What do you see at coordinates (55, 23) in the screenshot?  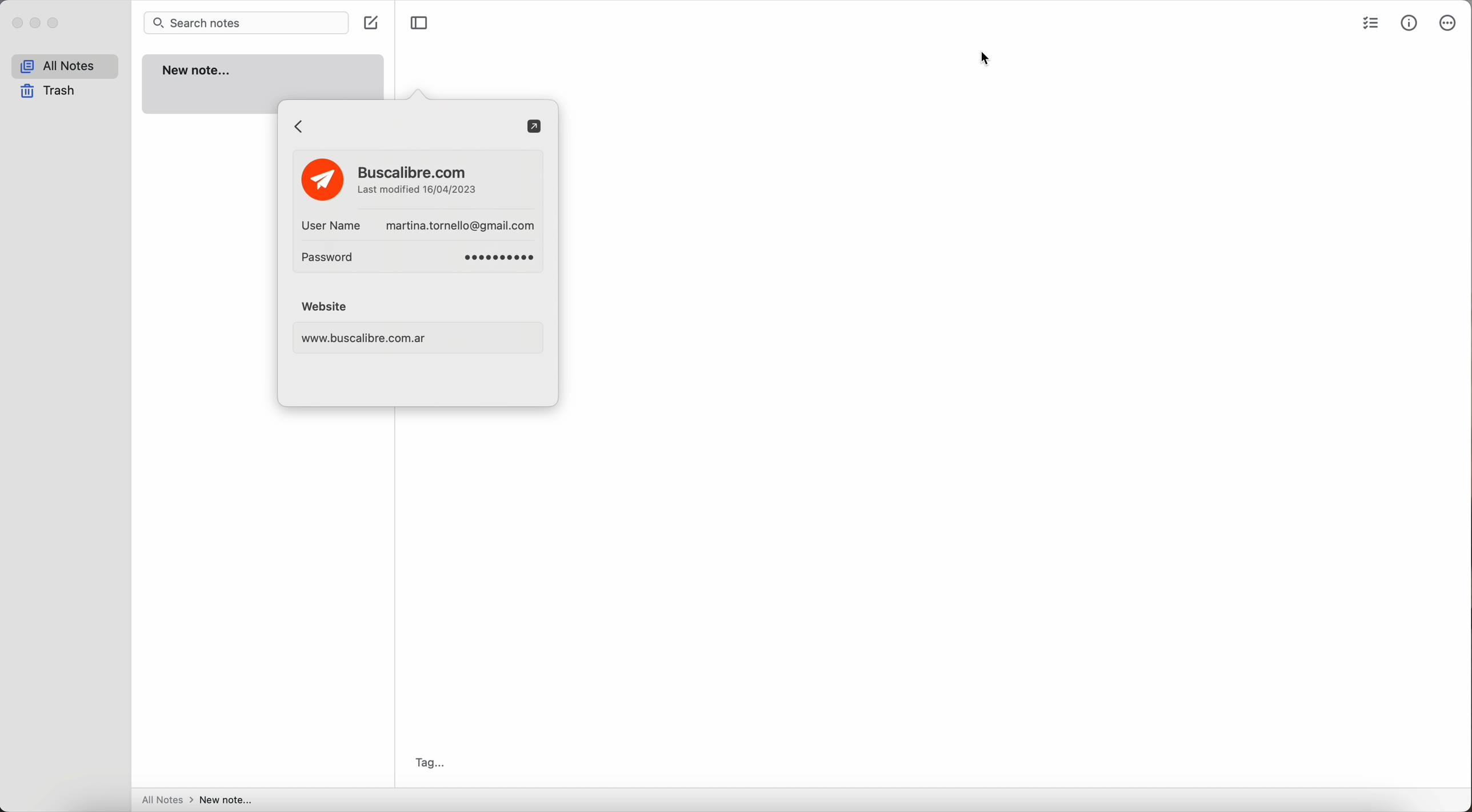 I see `maximize` at bounding box center [55, 23].